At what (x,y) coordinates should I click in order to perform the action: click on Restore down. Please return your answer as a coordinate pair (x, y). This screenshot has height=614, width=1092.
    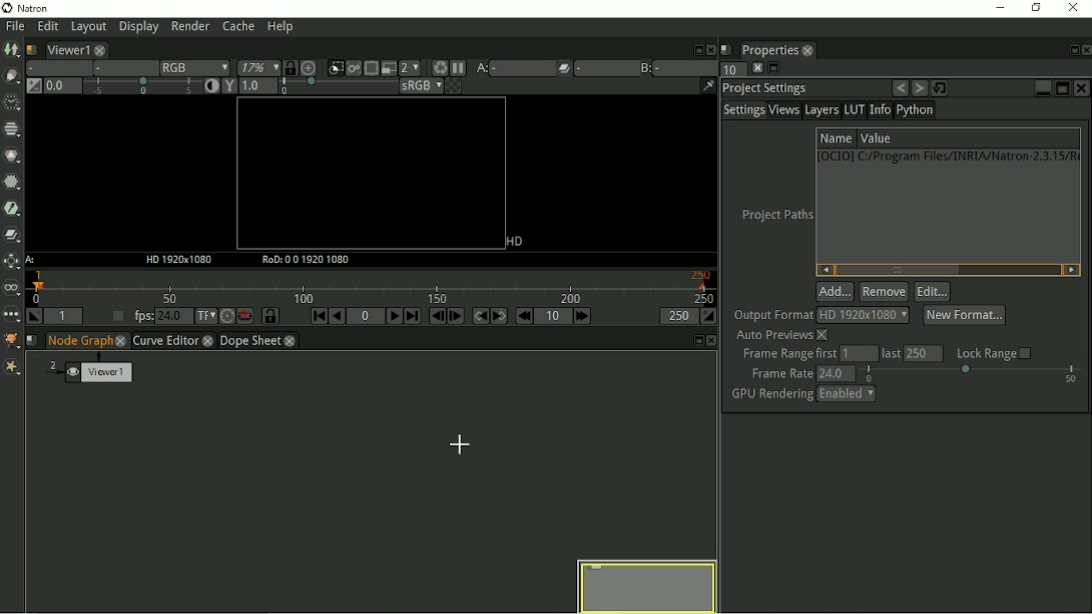
    Looking at the image, I should click on (1033, 8).